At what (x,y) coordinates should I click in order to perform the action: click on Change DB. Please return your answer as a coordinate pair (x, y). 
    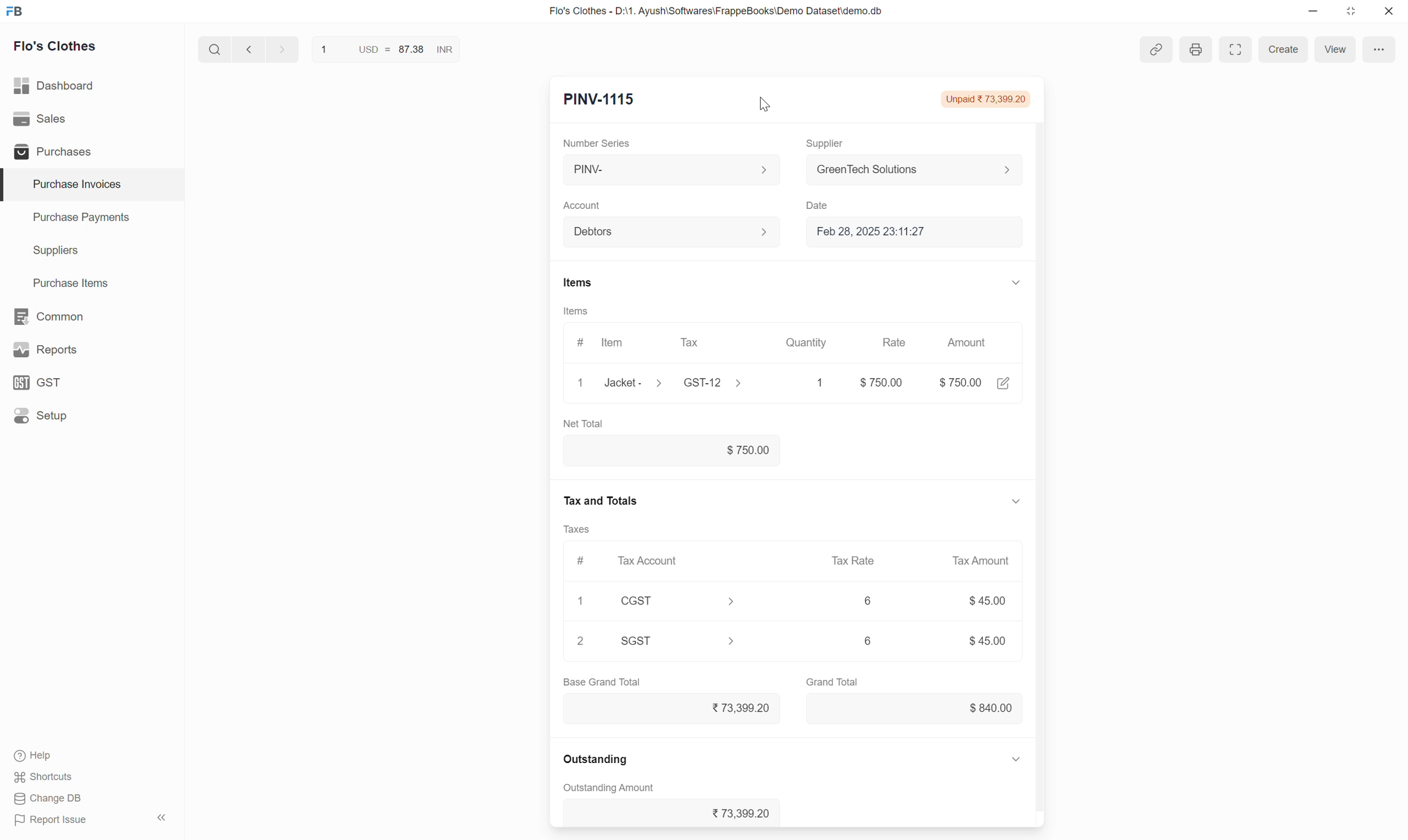
    Looking at the image, I should click on (49, 799).